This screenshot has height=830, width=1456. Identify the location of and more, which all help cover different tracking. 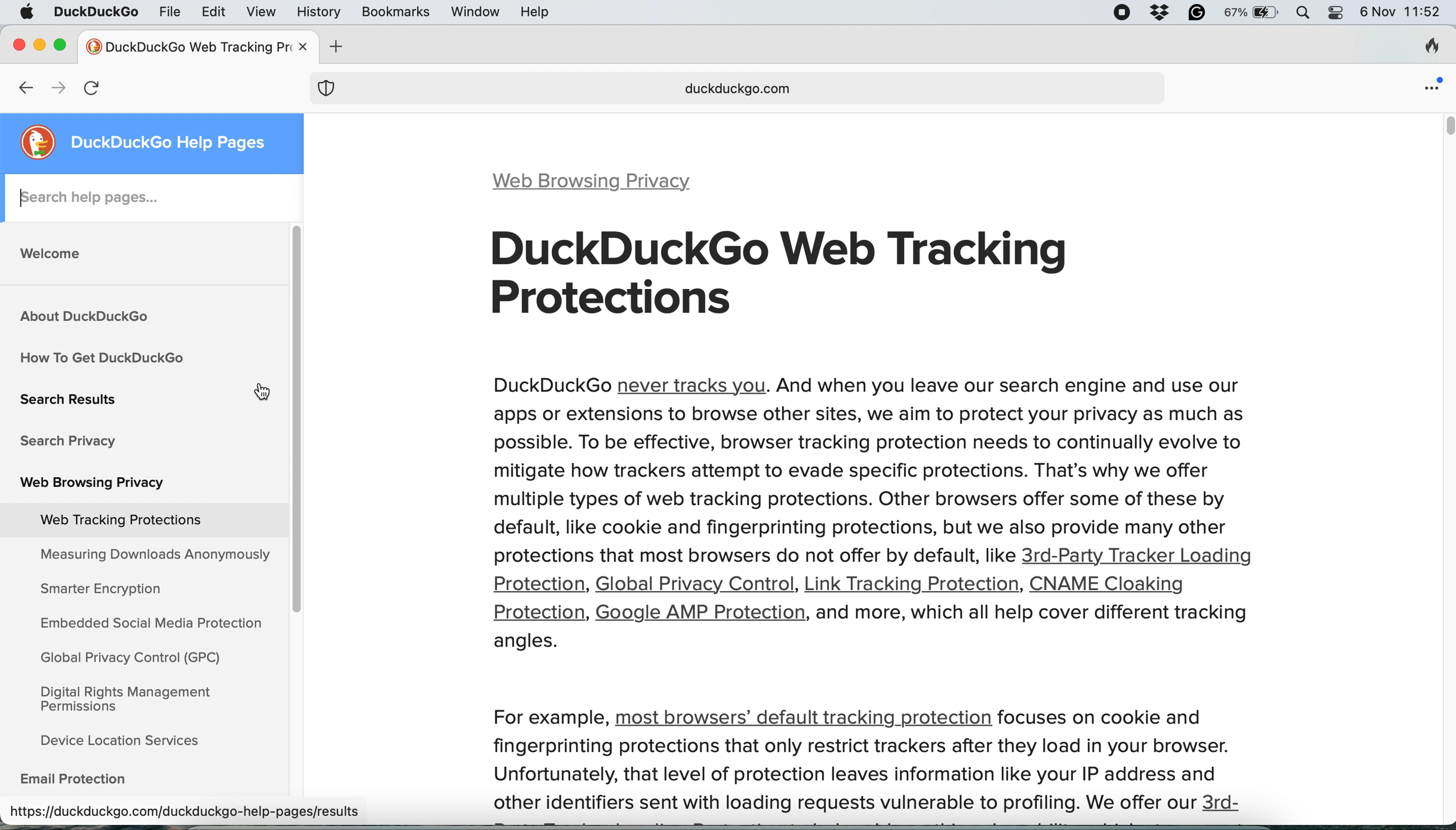
(1038, 616).